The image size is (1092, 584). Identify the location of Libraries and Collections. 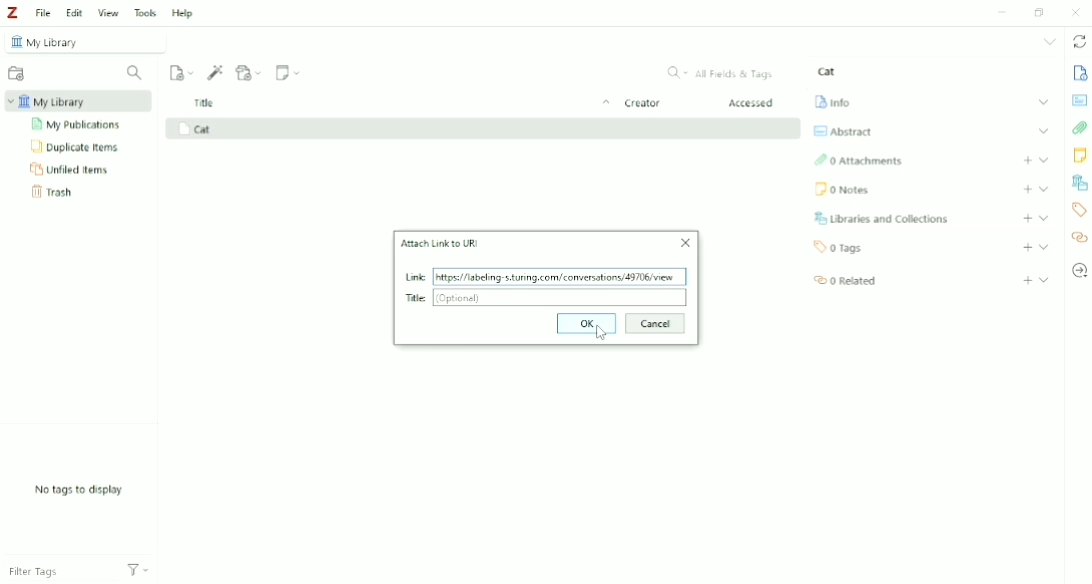
(1079, 183).